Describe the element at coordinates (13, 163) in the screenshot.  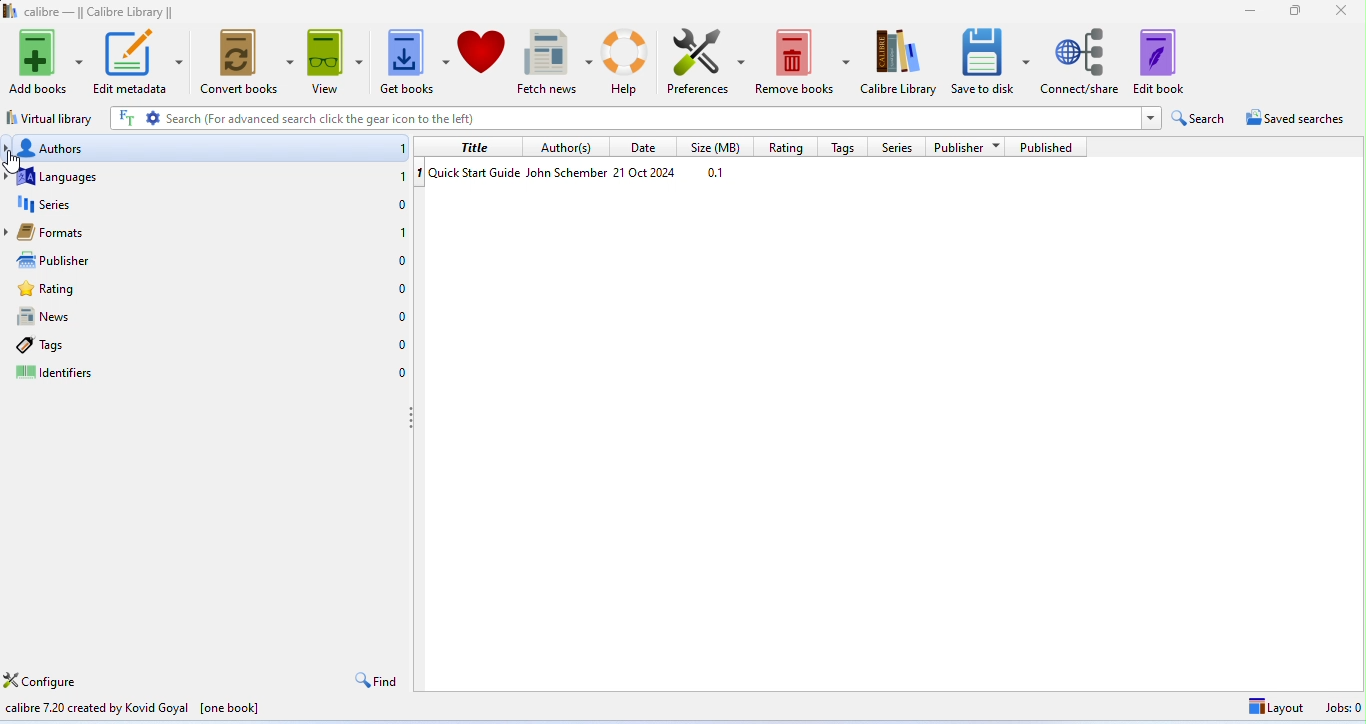
I see `cursor` at that location.